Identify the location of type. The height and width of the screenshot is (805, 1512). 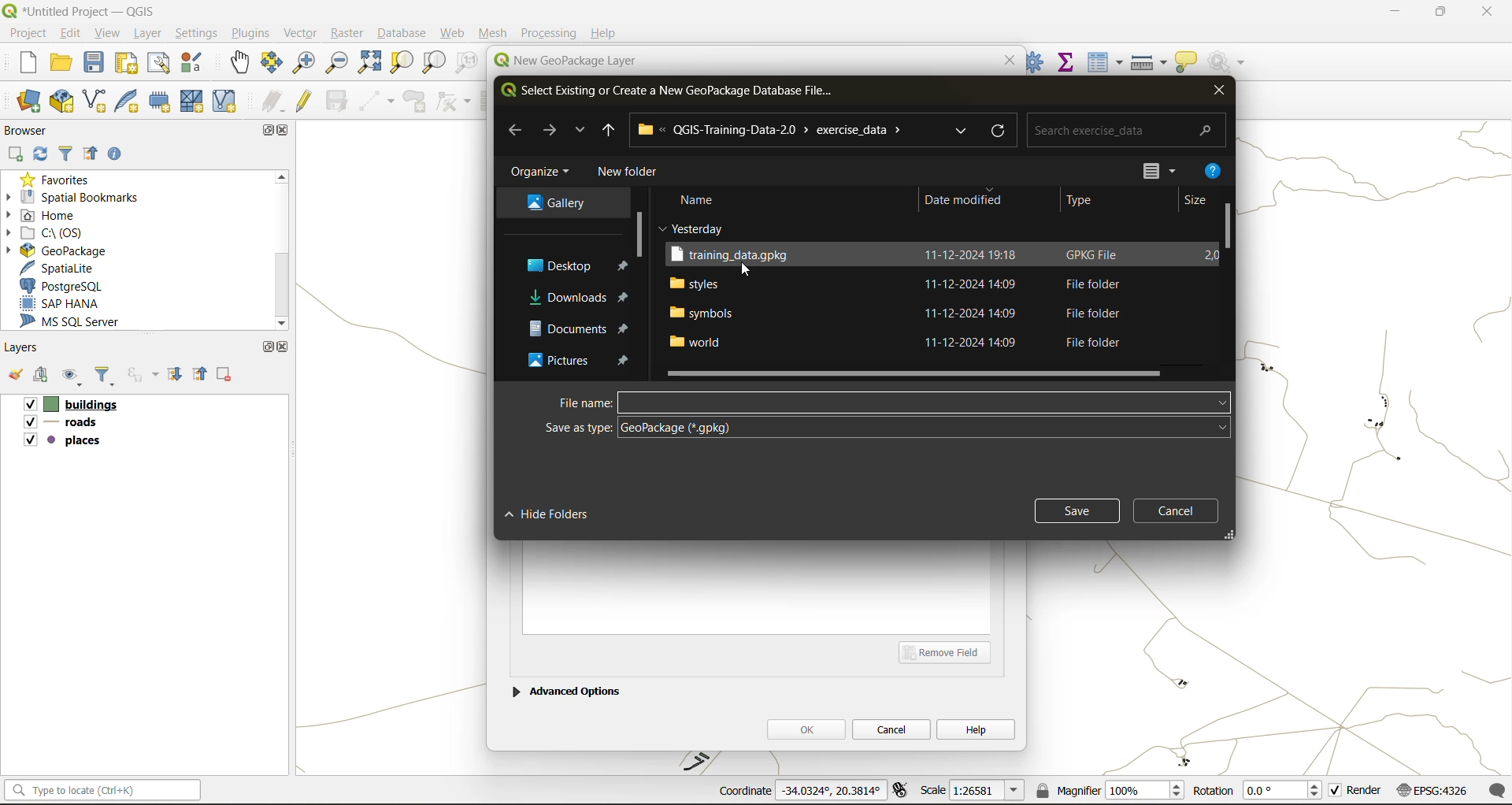
(1089, 202).